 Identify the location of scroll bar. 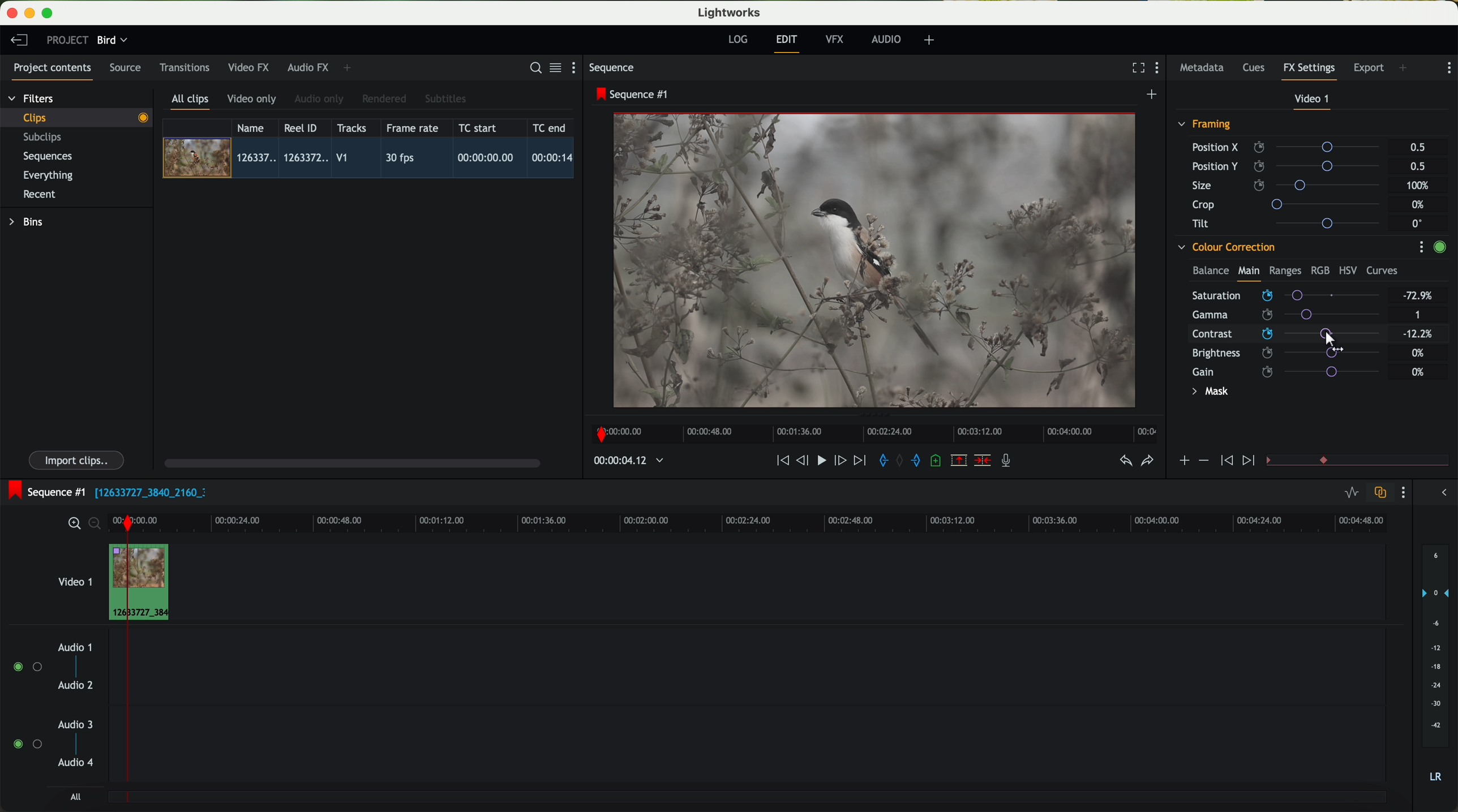
(351, 462).